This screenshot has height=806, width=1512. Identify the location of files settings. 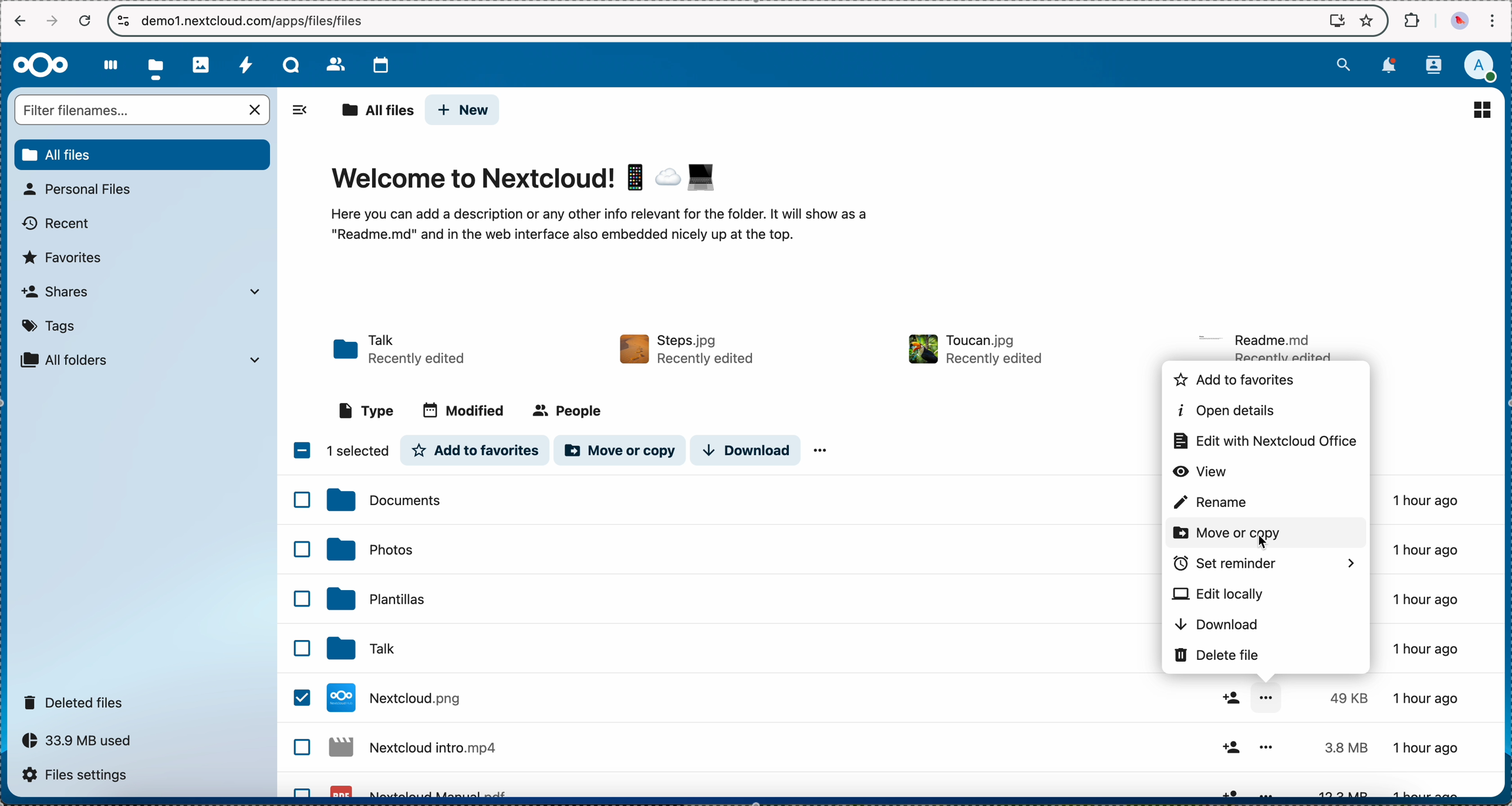
(78, 775).